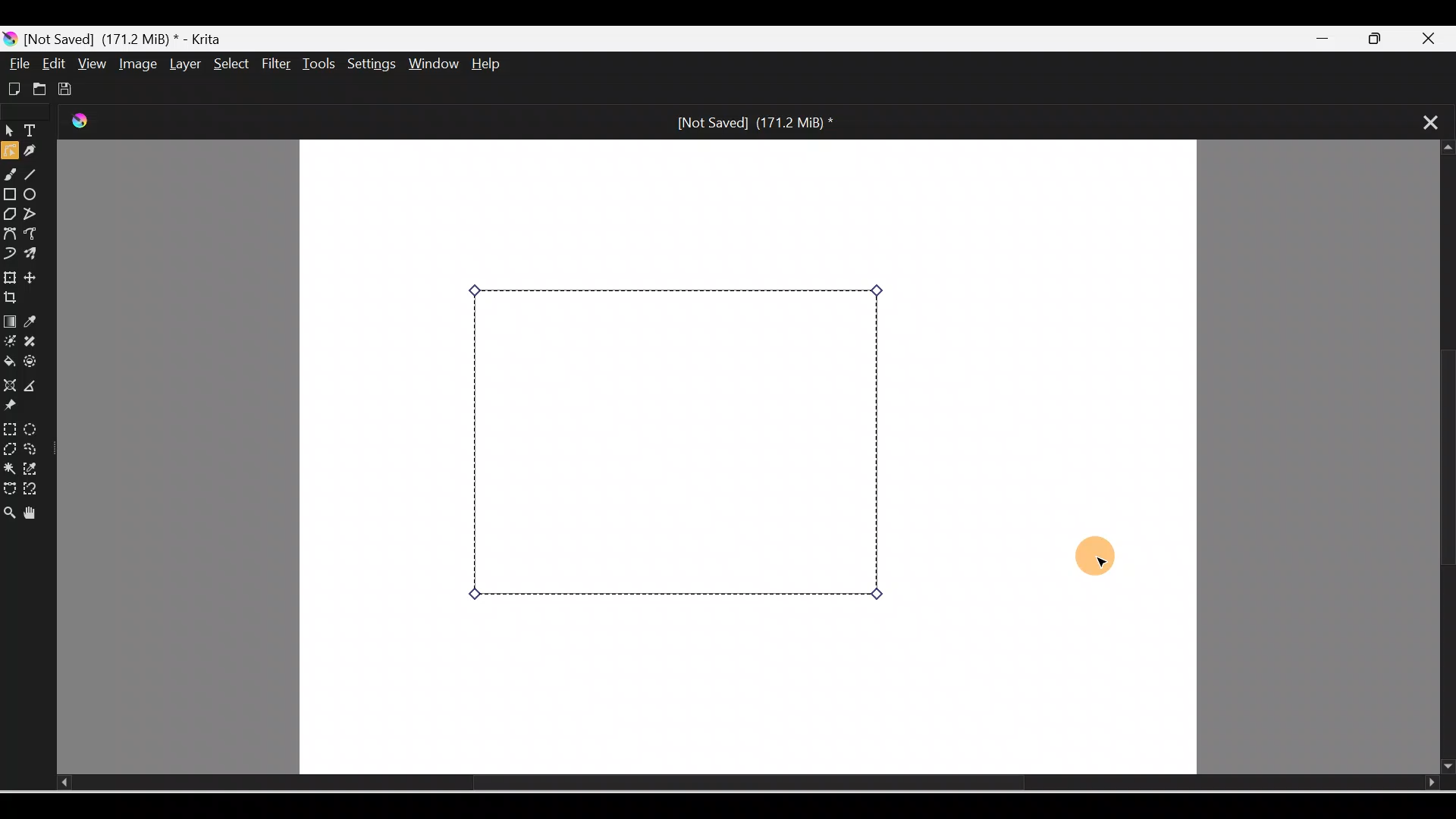 The width and height of the screenshot is (1456, 819). Describe the element at coordinates (36, 365) in the screenshot. I see `Enclose and fill tool` at that location.